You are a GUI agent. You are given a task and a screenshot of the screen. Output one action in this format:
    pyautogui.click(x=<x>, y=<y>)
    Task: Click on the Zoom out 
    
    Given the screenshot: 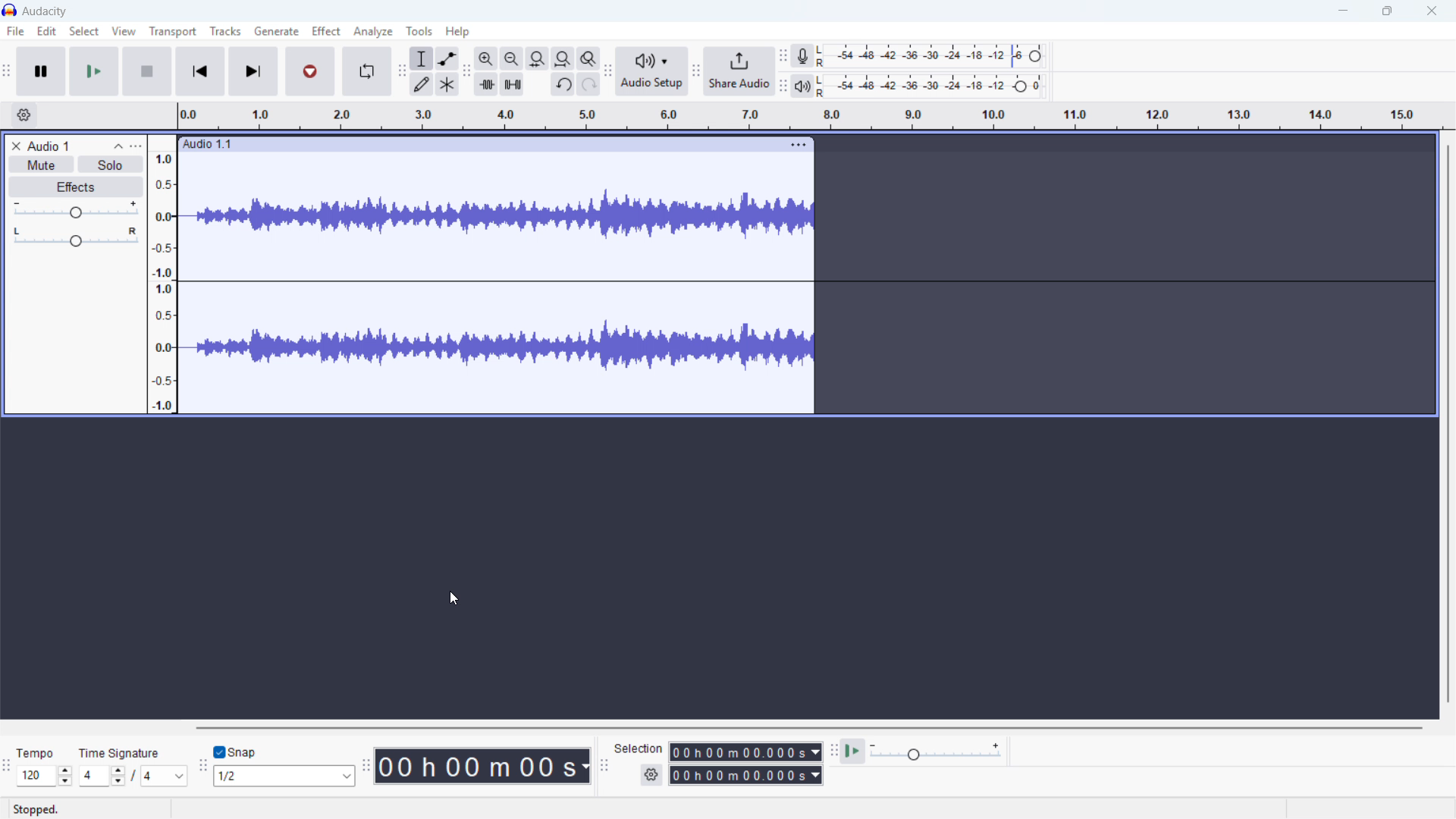 What is the action you would take?
    pyautogui.click(x=512, y=58)
    